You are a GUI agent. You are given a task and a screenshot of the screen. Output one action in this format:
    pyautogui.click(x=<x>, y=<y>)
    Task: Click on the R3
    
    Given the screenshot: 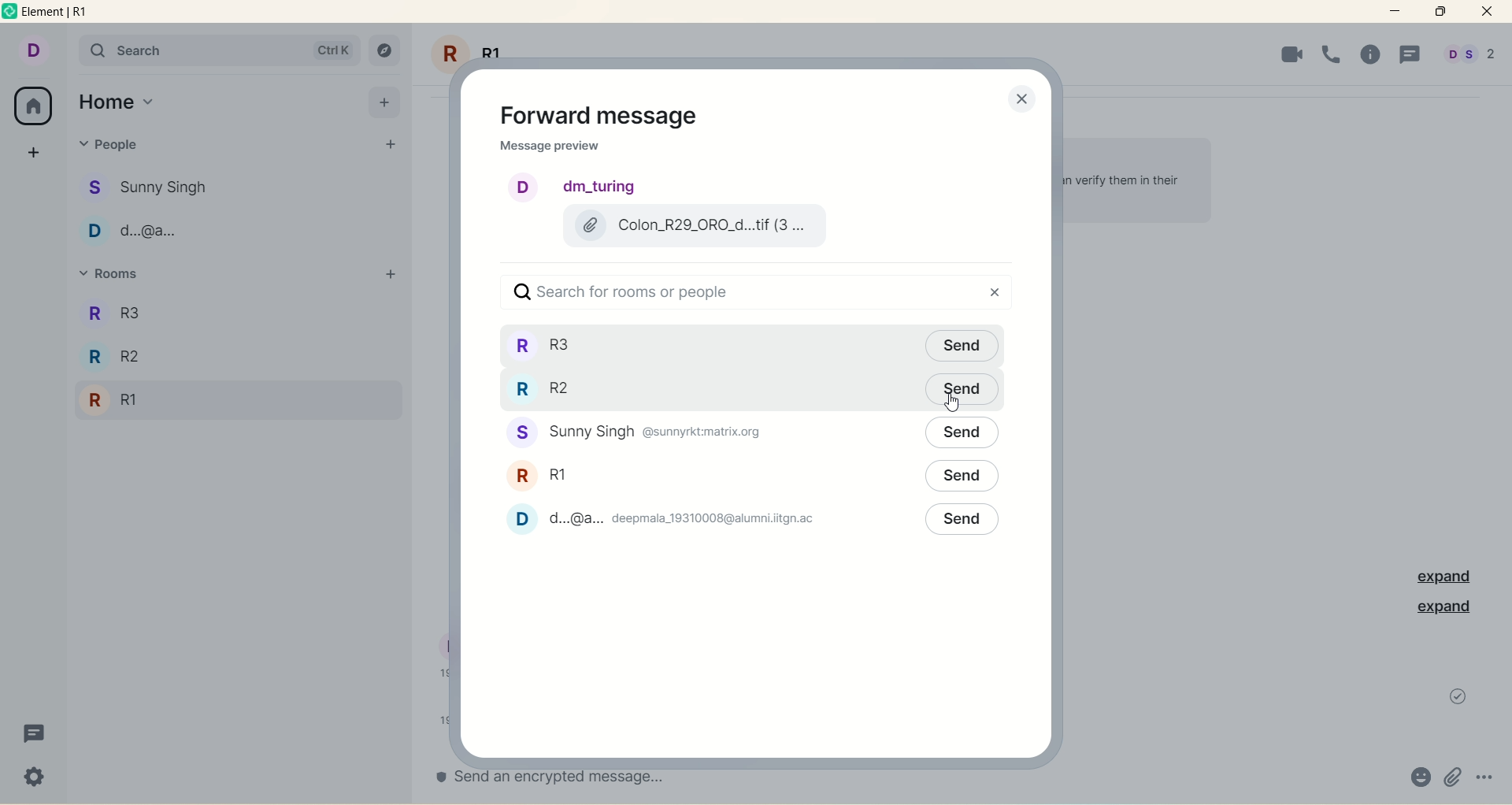 What is the action you would take?
    pyautogui.click(x=144, y=312)
    